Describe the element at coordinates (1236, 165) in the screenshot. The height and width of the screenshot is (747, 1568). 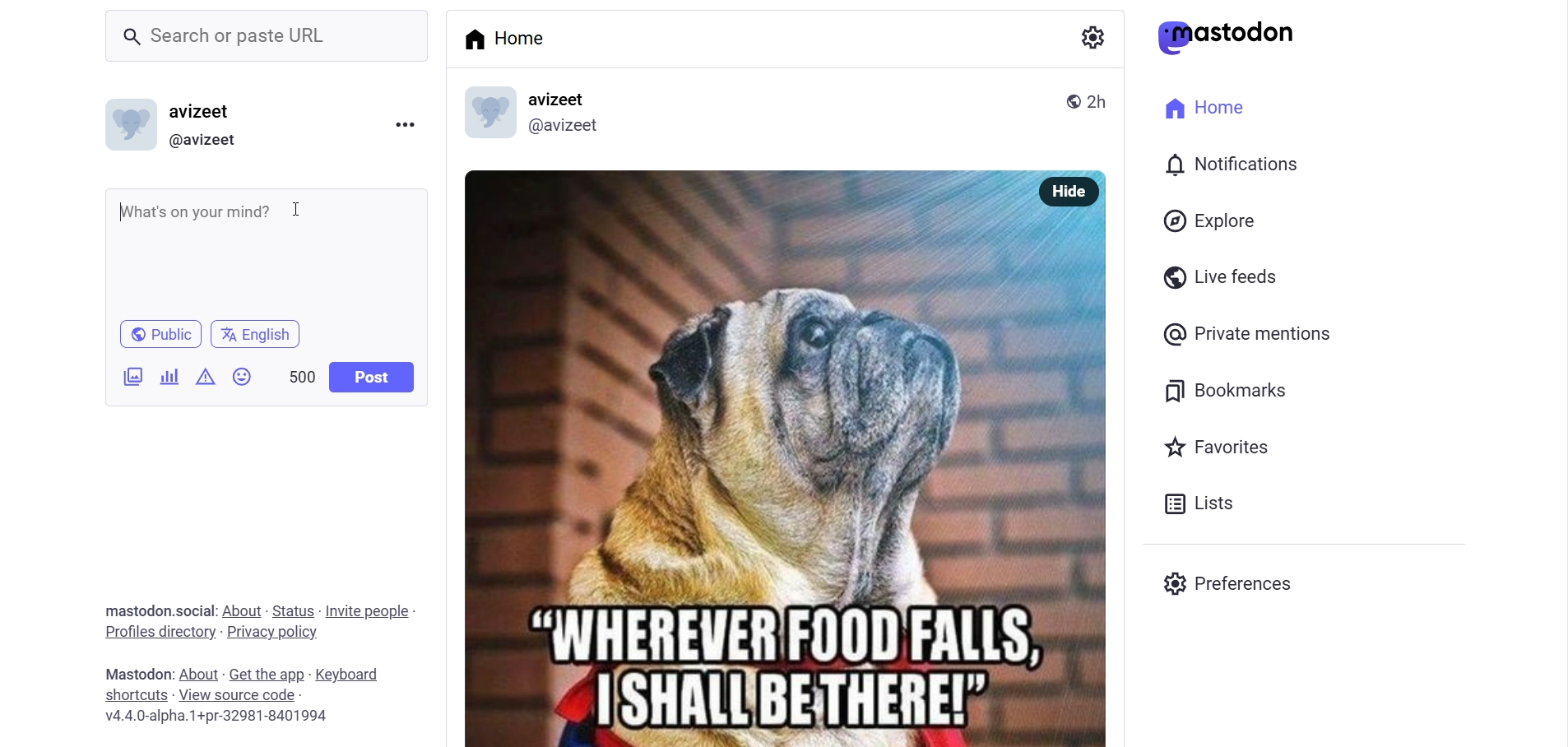
I see `Notifications` at that location.